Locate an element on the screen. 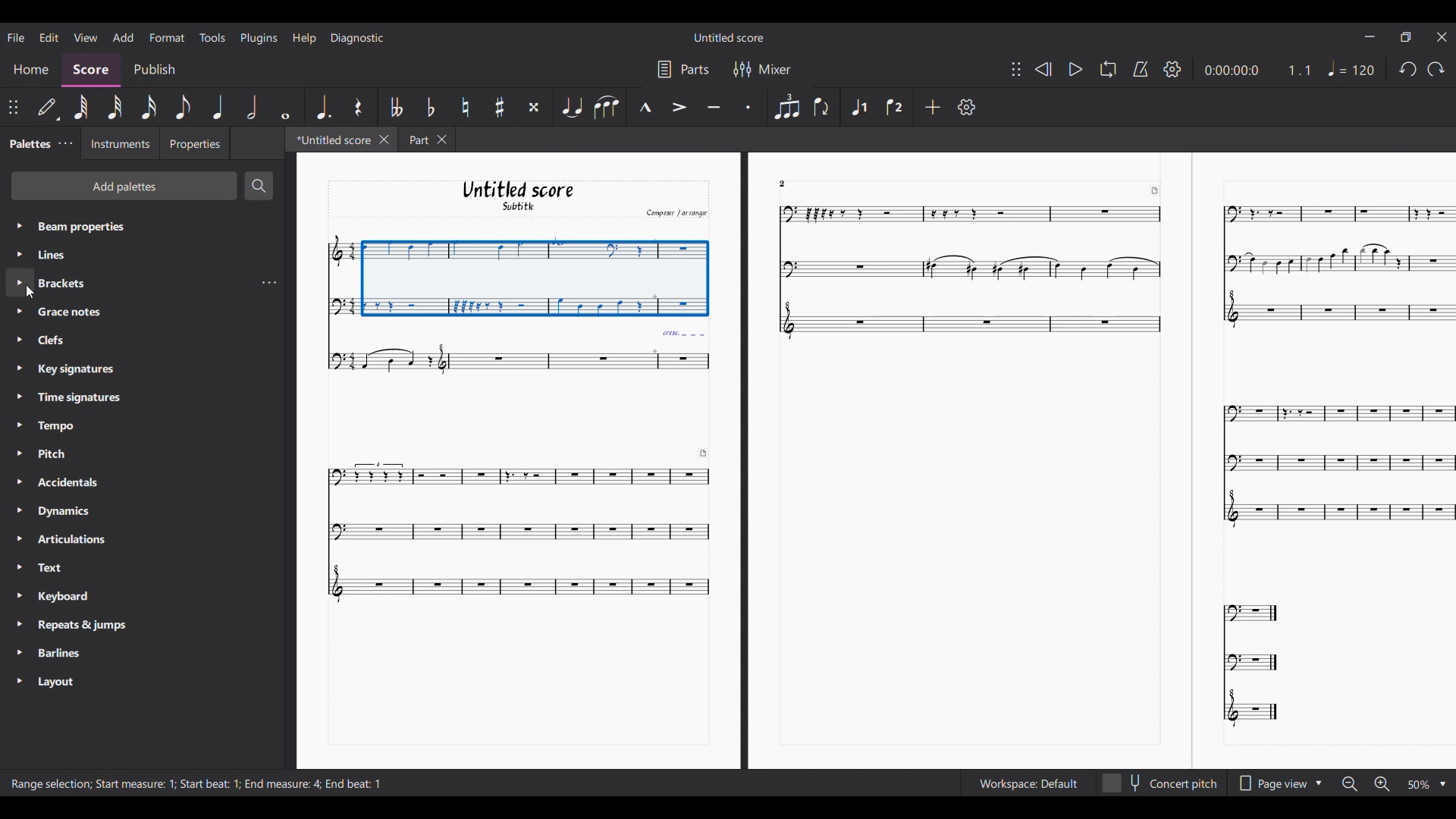 The width and height of the screenshot is (1456, 819). Palette tab is located at coordinates (29, 143).